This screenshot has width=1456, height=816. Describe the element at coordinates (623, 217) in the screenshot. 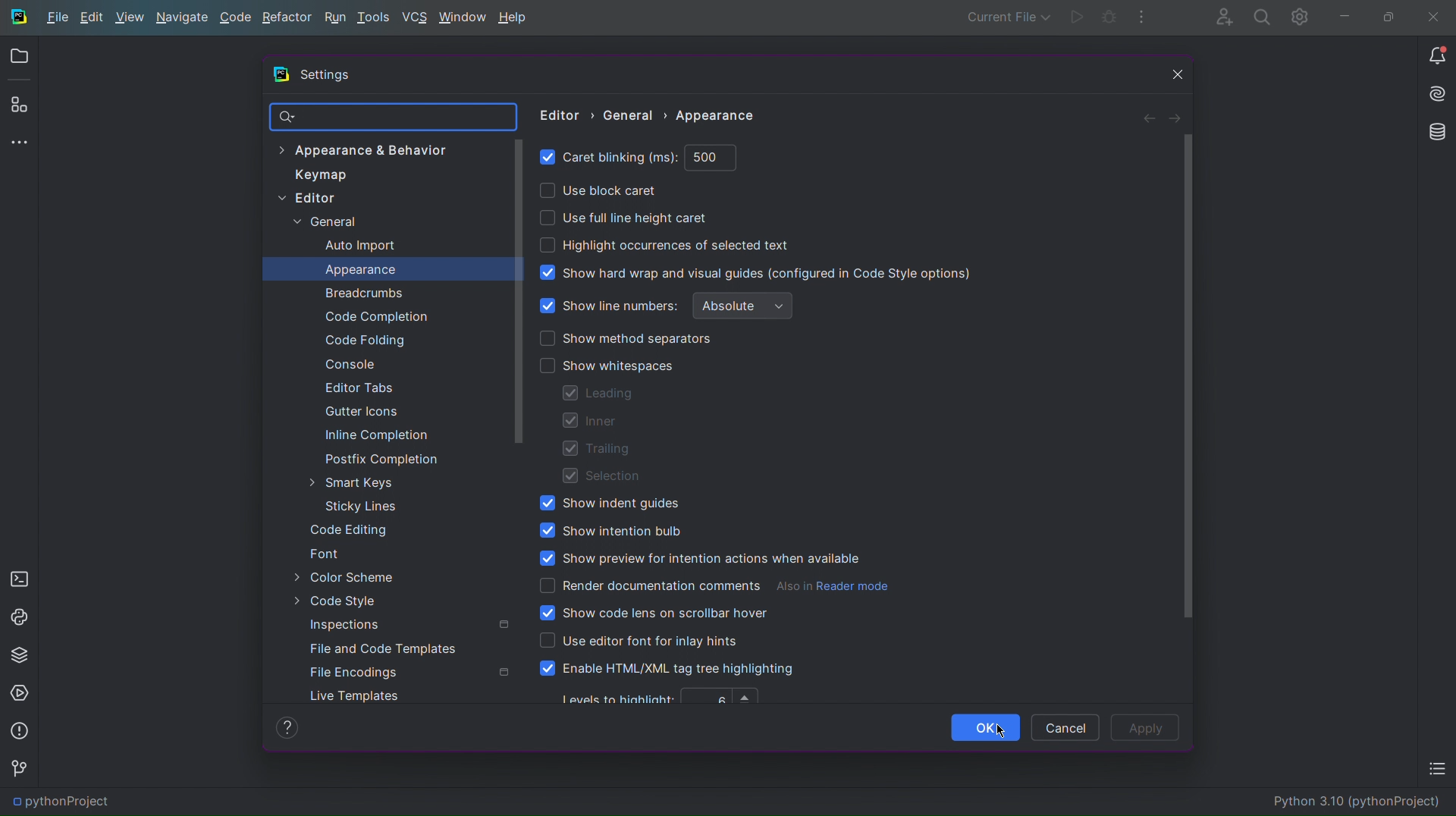

I see `Use full line height caret` at that location.